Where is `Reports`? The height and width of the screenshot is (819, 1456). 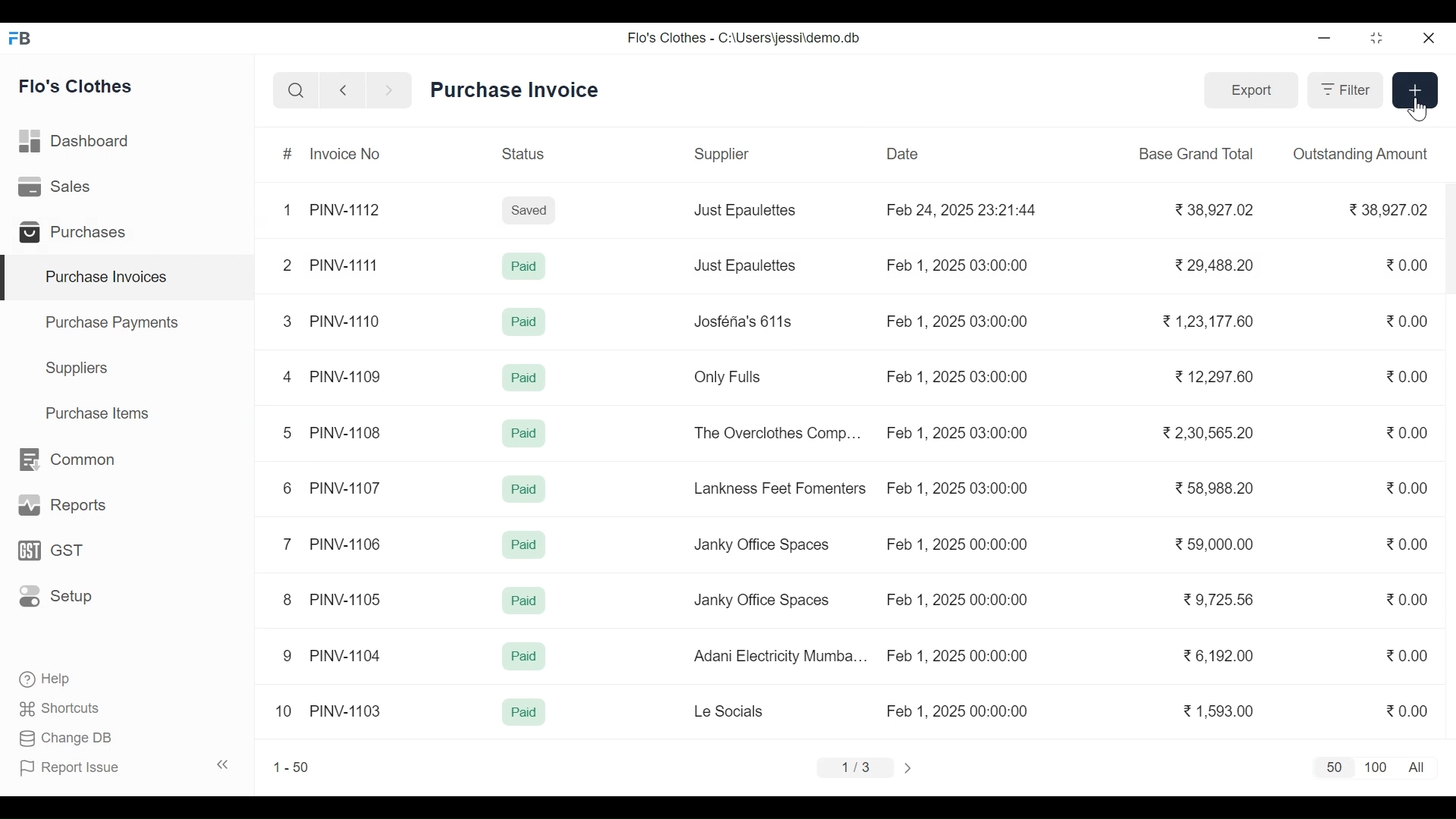
Reports is located at coordinates (59, 504).